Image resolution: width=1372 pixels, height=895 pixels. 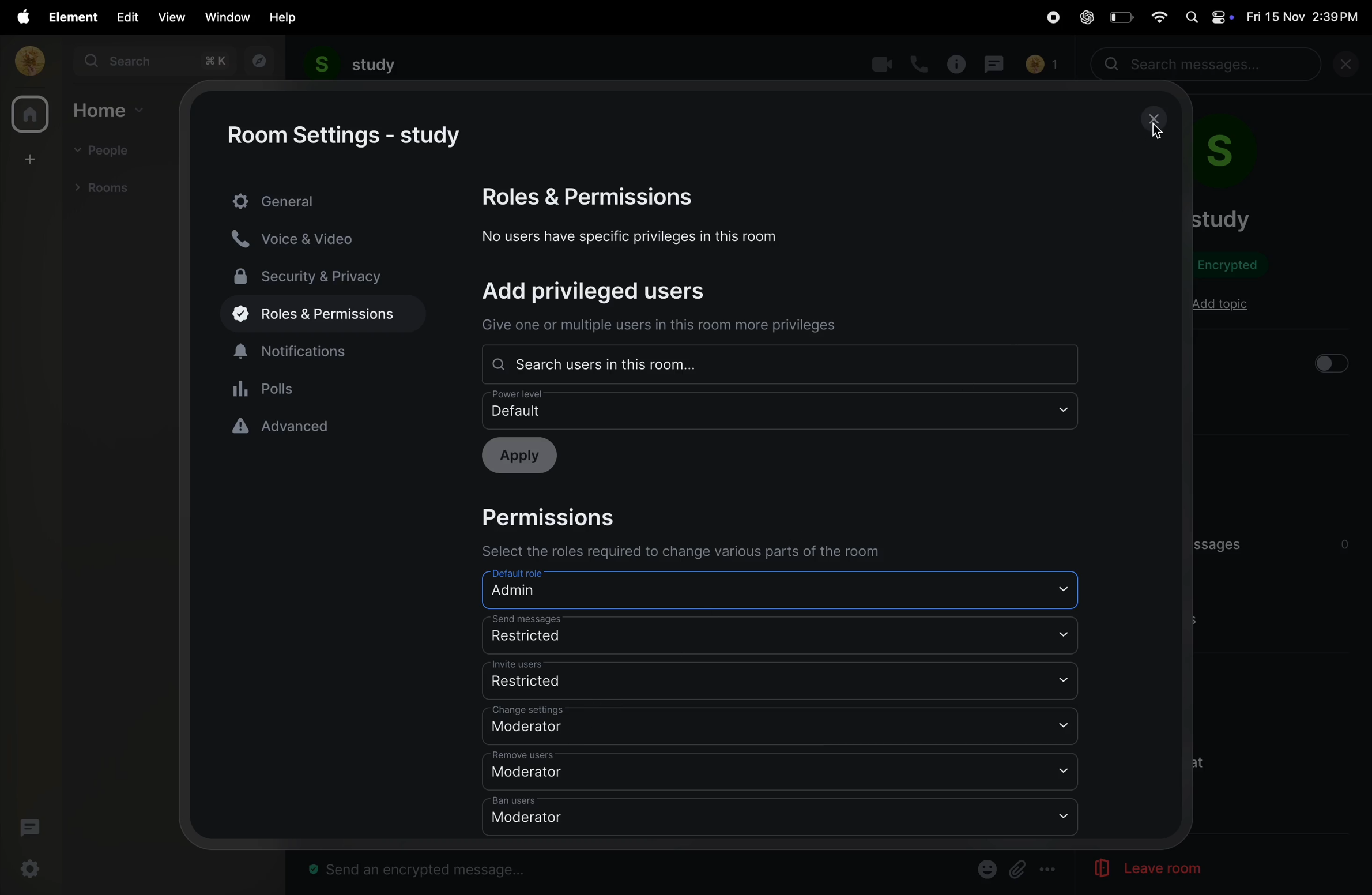 What do you see at coordinates (19, 17) in the screenshot?
I see `apple menu` at bounding box center [19, 17].